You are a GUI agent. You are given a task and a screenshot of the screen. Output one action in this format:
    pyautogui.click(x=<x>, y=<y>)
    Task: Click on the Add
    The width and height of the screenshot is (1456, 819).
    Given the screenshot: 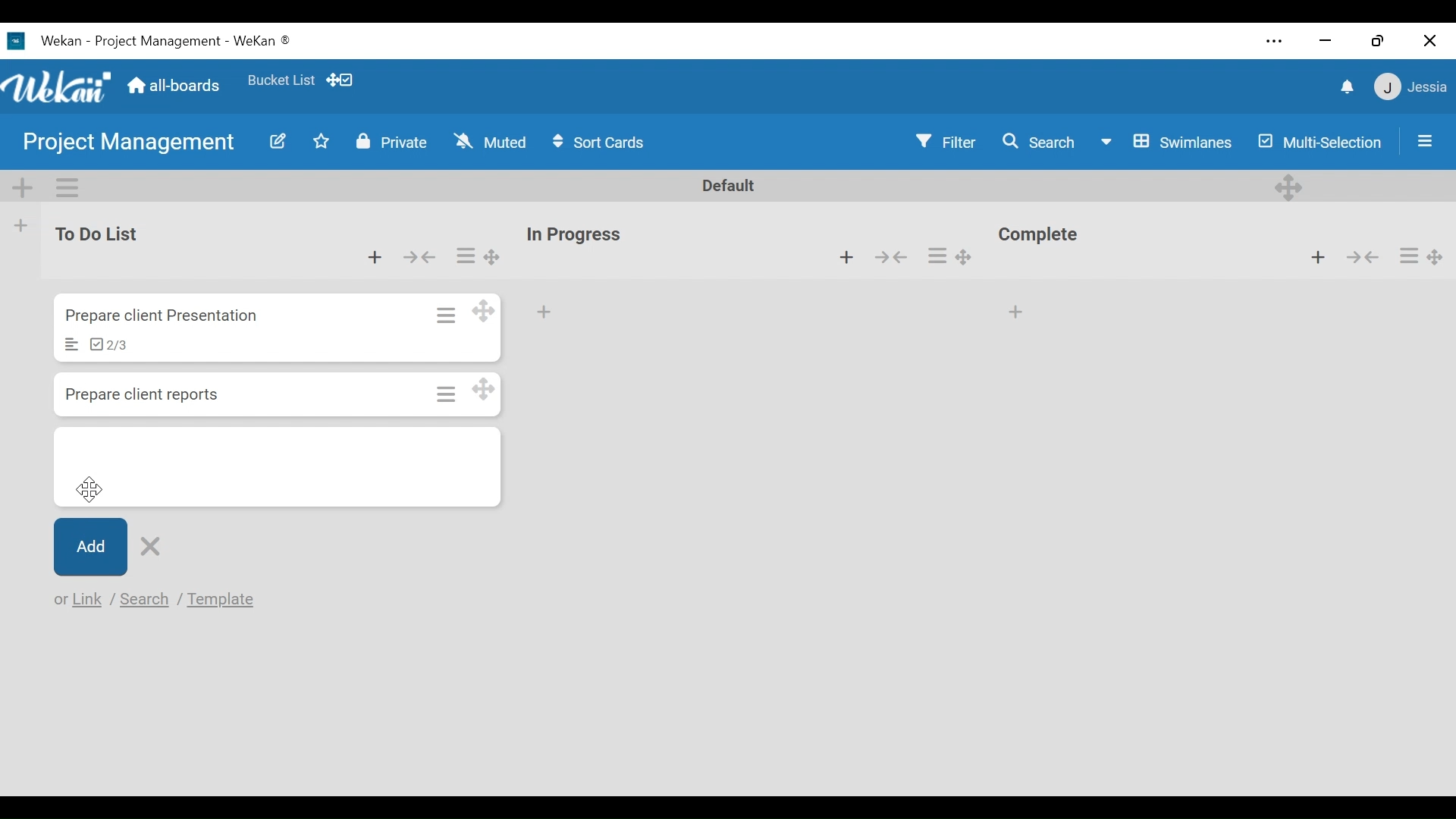 What is the action you would take?
    pyautogui.click(x=89, y=548)
    